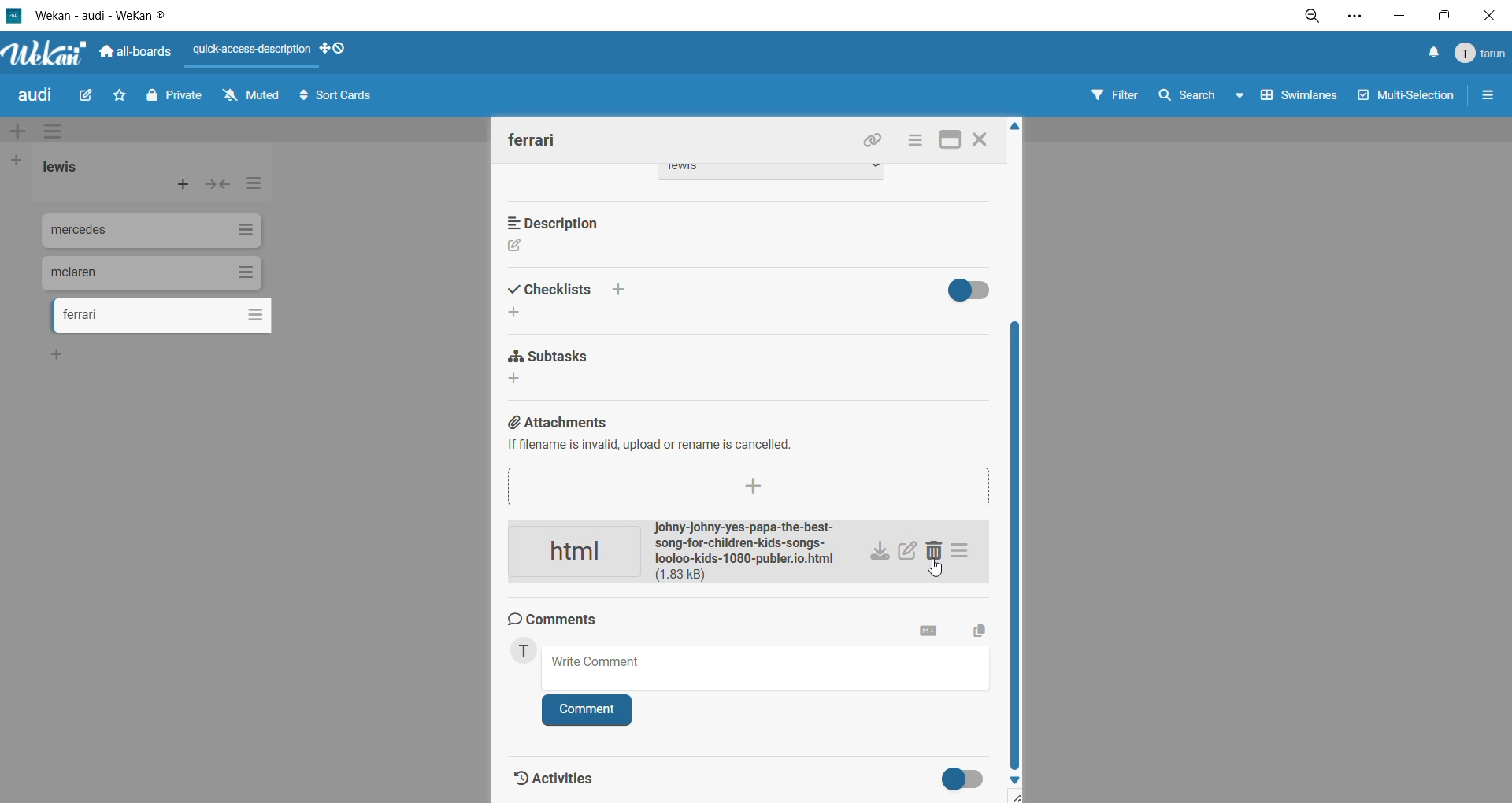  I want to click on checklist, so click(574, 288).